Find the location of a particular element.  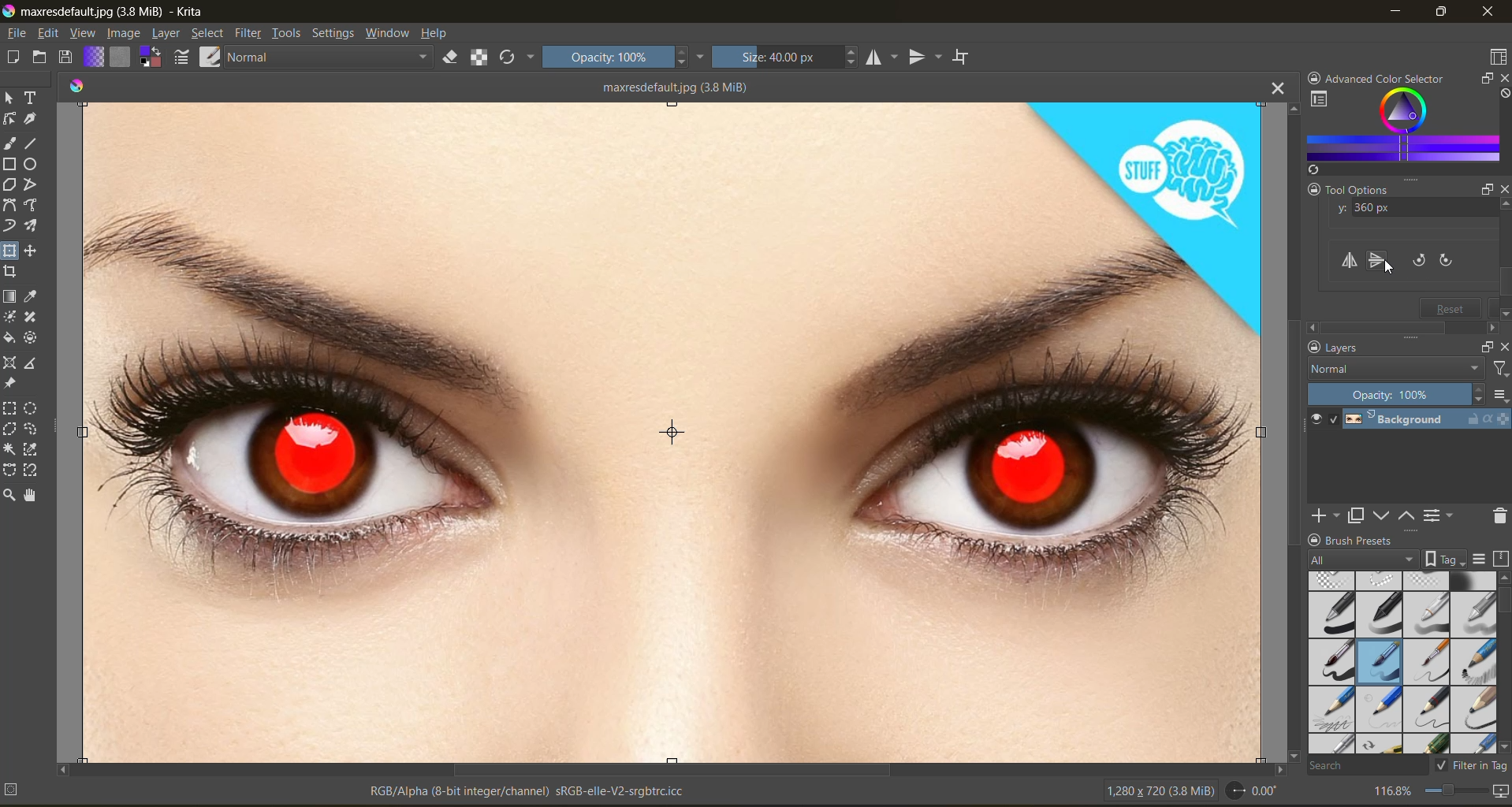

photo is located at coordinates (670, 430).